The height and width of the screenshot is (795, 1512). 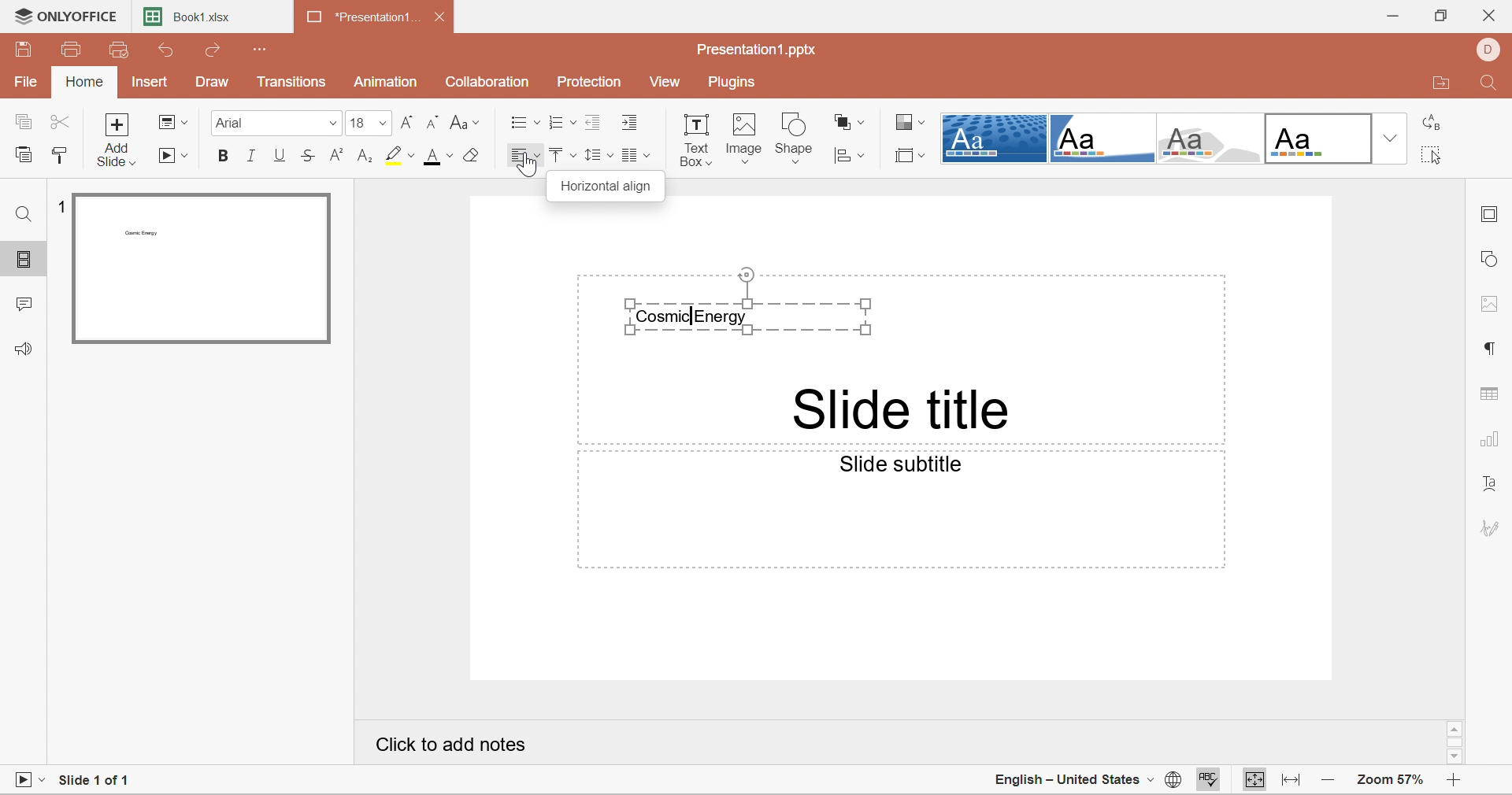 I want to click on Turtle, so click(x=1213, y=139).